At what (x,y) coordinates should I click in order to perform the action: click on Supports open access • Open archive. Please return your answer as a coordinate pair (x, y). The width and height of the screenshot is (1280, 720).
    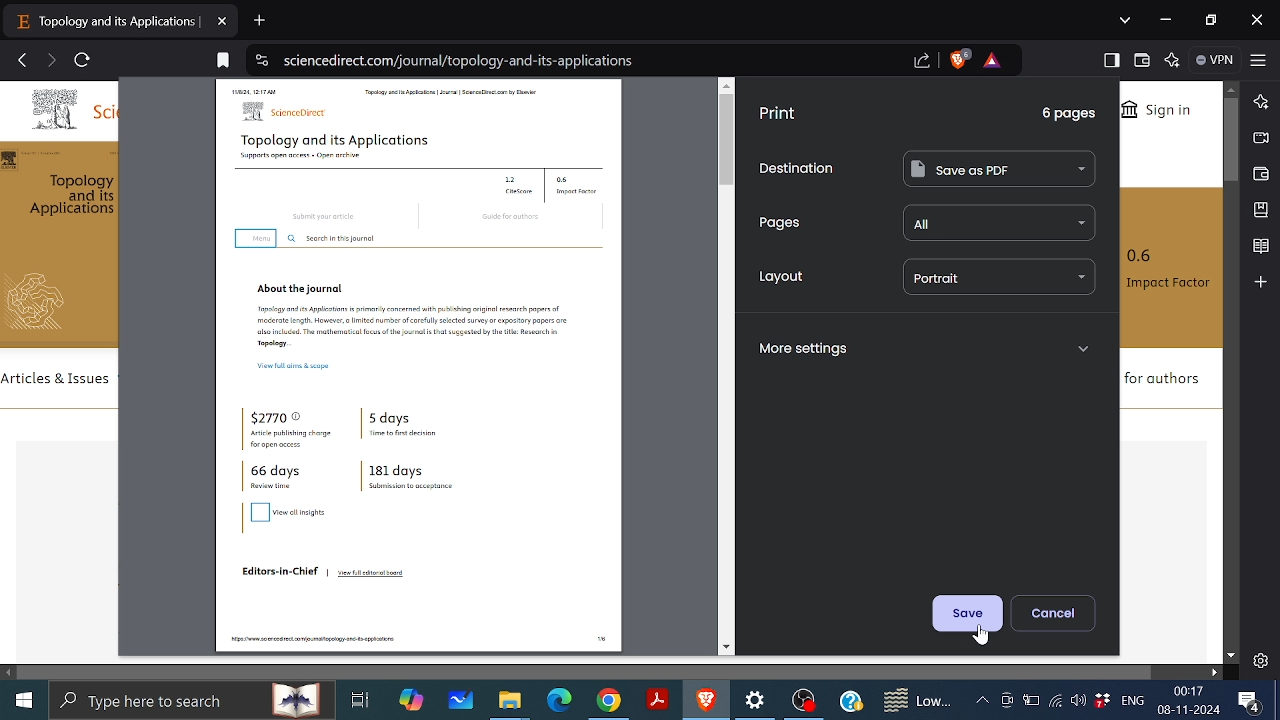
    Looking at the image, I should click on (297, 155).